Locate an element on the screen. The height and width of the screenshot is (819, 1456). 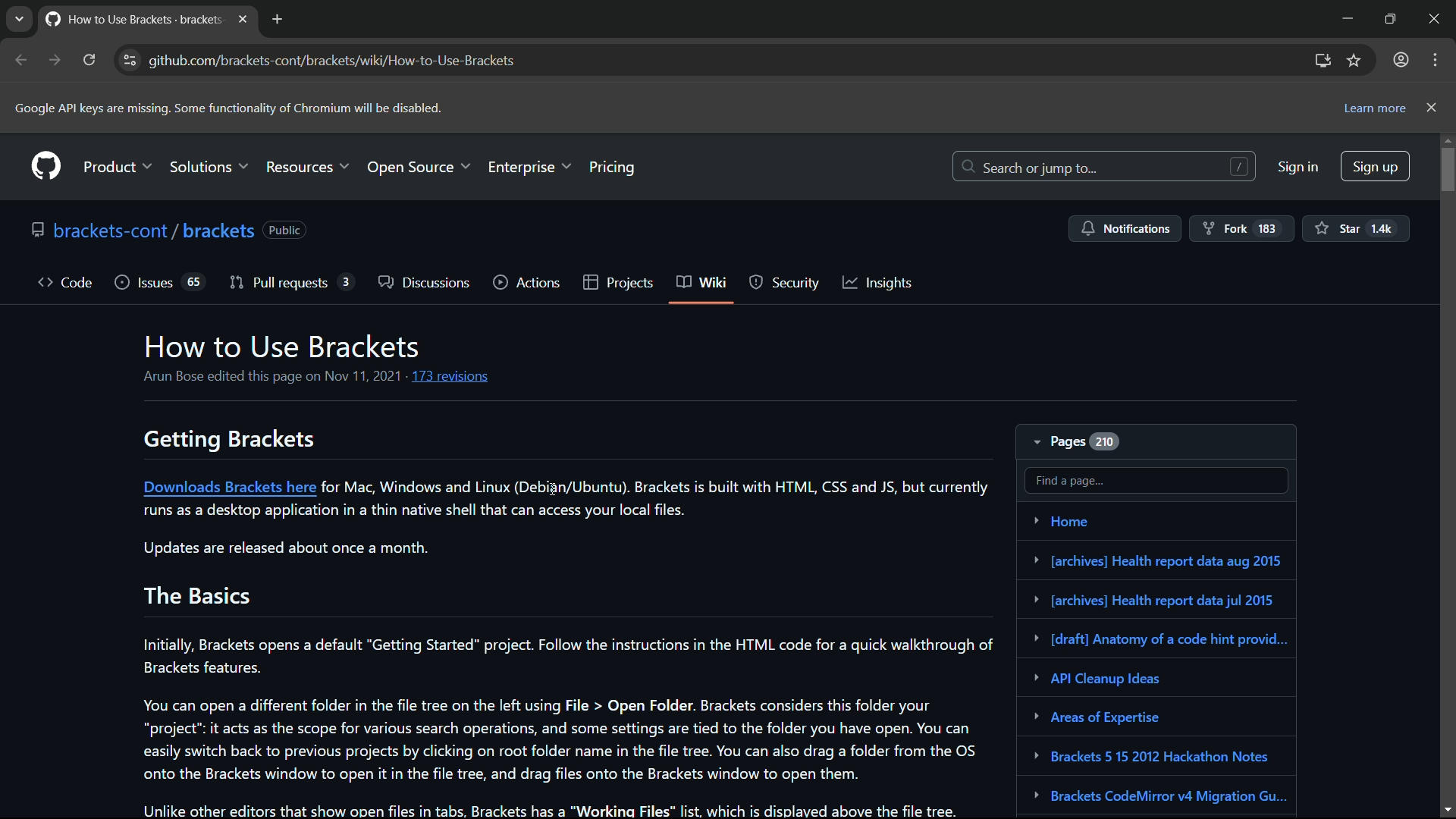
pull requests is located at coordinates (278, 282).